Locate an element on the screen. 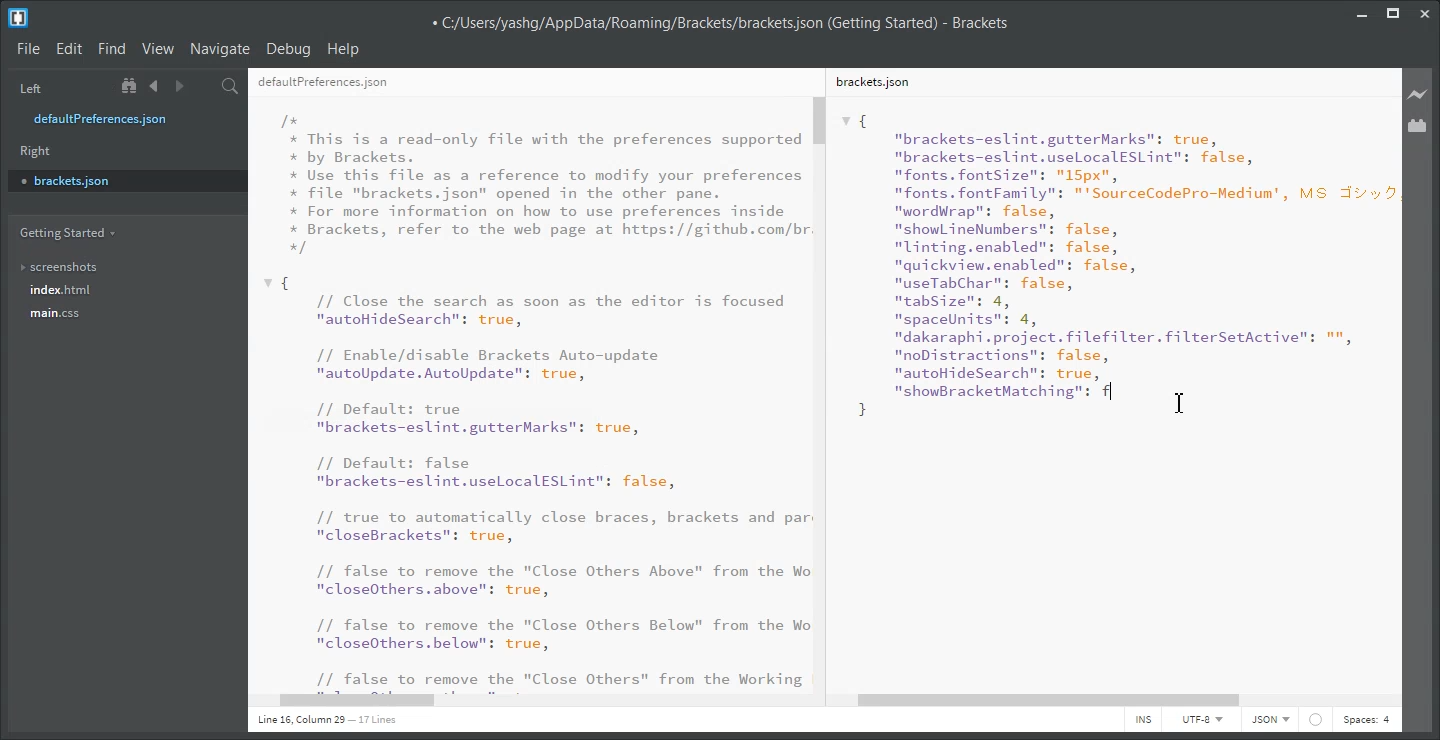 This screenshot has width=1440, height=740. Edit is located at coordinates (69, 49).